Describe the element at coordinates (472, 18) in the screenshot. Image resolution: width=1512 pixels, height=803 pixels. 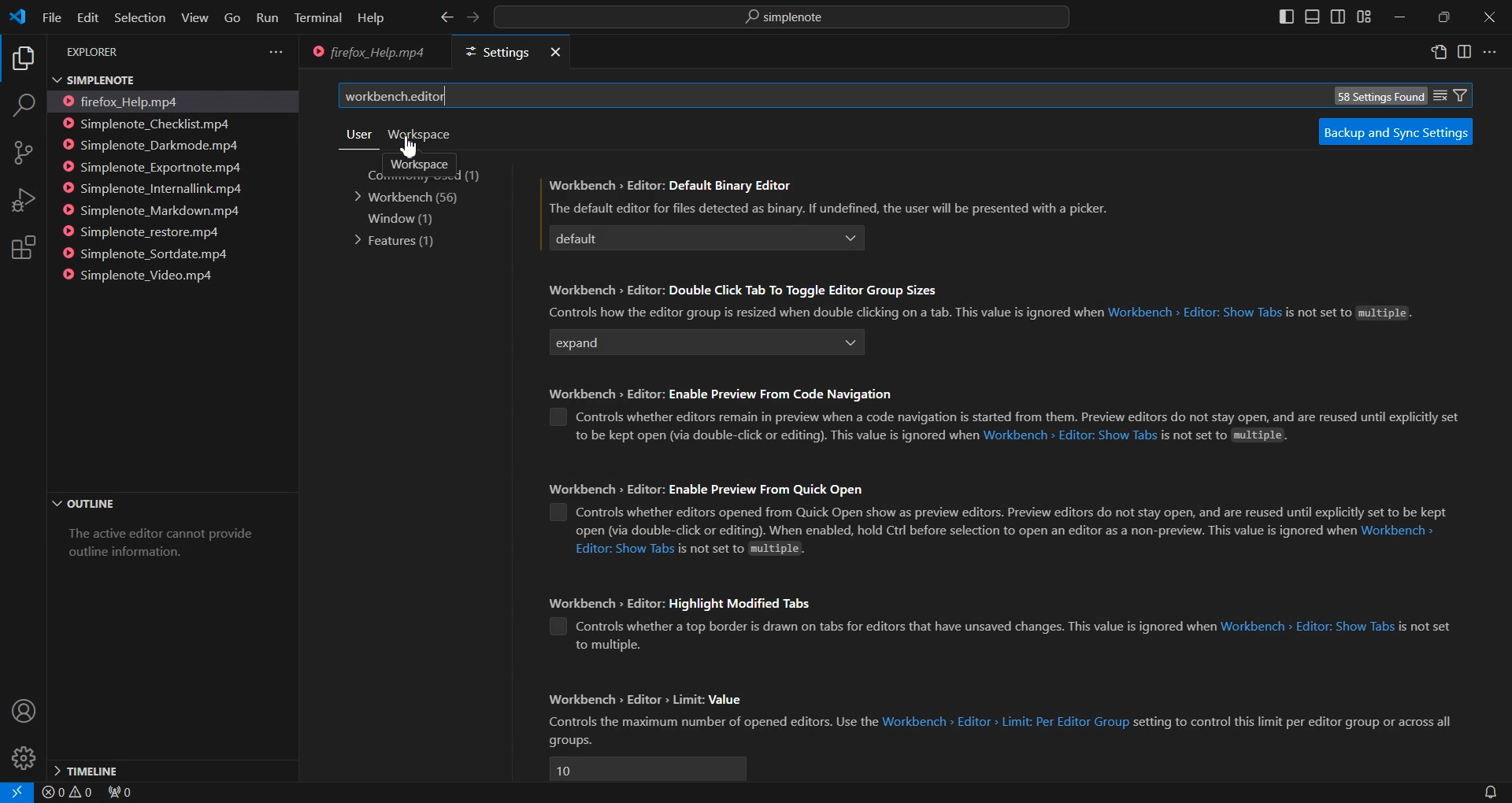
I see `Go forward` at that location.